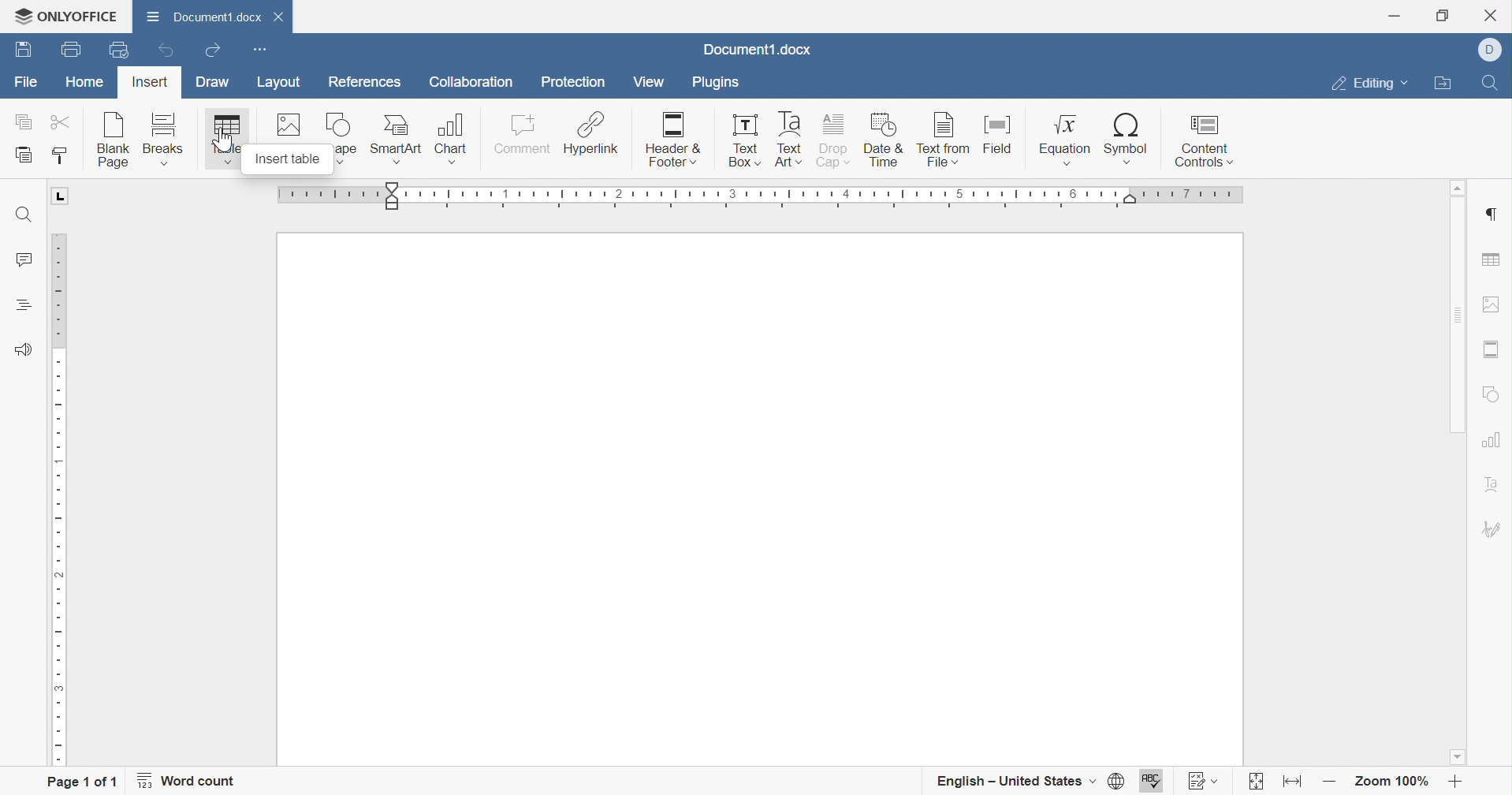 The height and width of the screenshot is (795, 1512). What do you see at coordinates (453, 139) in the screenshot?
I see `Chart` at bounding box center [453, 139].